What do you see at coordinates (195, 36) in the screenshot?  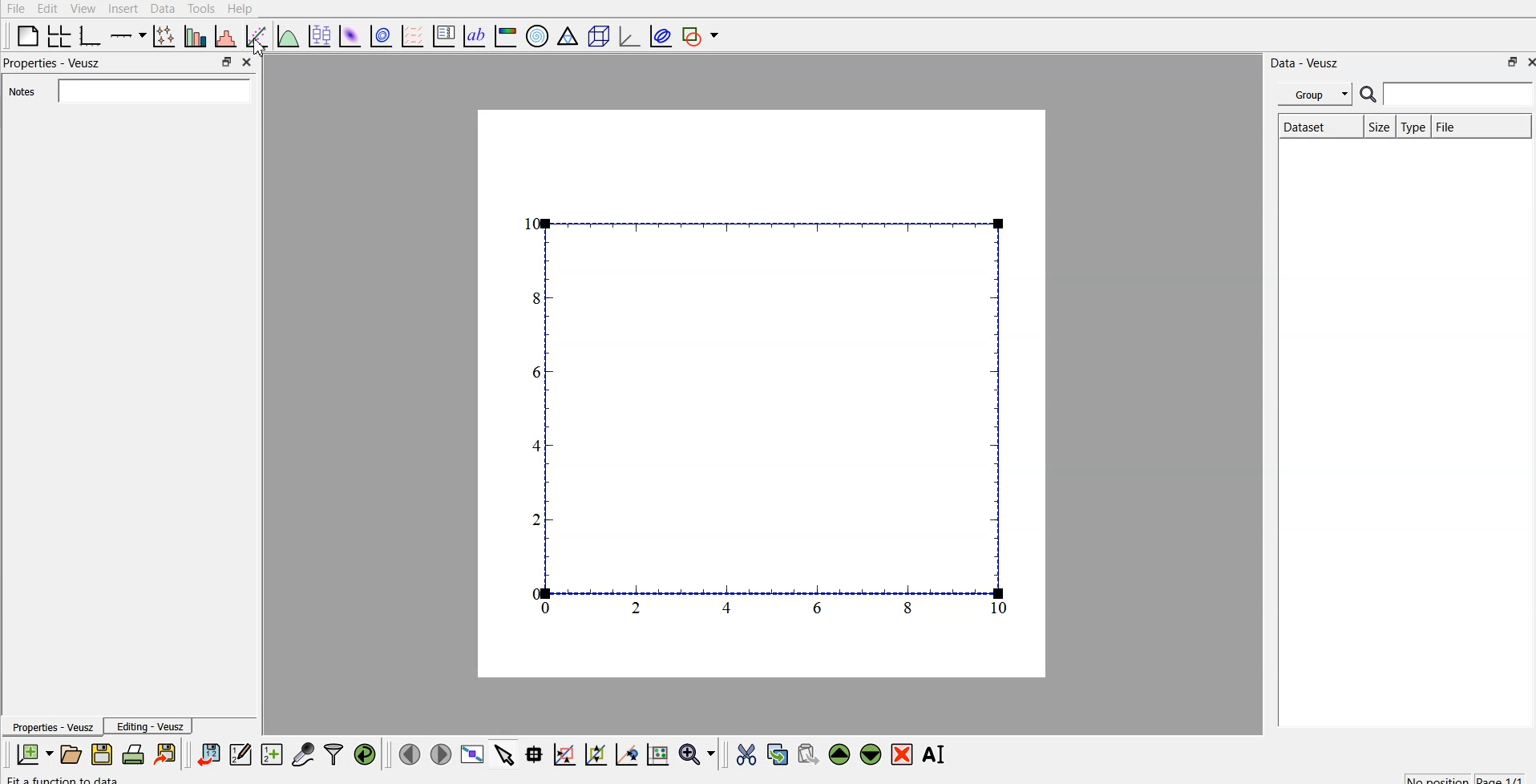 I see `plot bar charts` at bounding box center [195, 36].